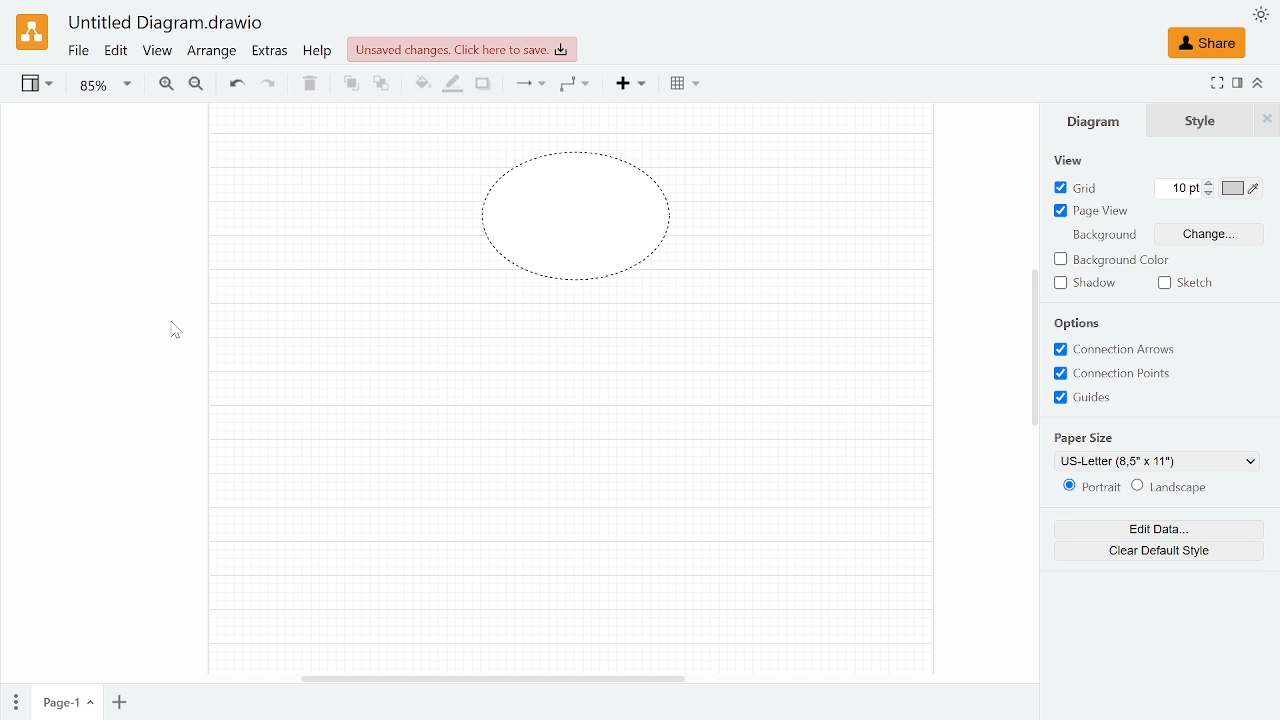 Image resolution: width=1280 pixels, height=720 pixels. I want to click on scroll bar, so click(1032, 349).